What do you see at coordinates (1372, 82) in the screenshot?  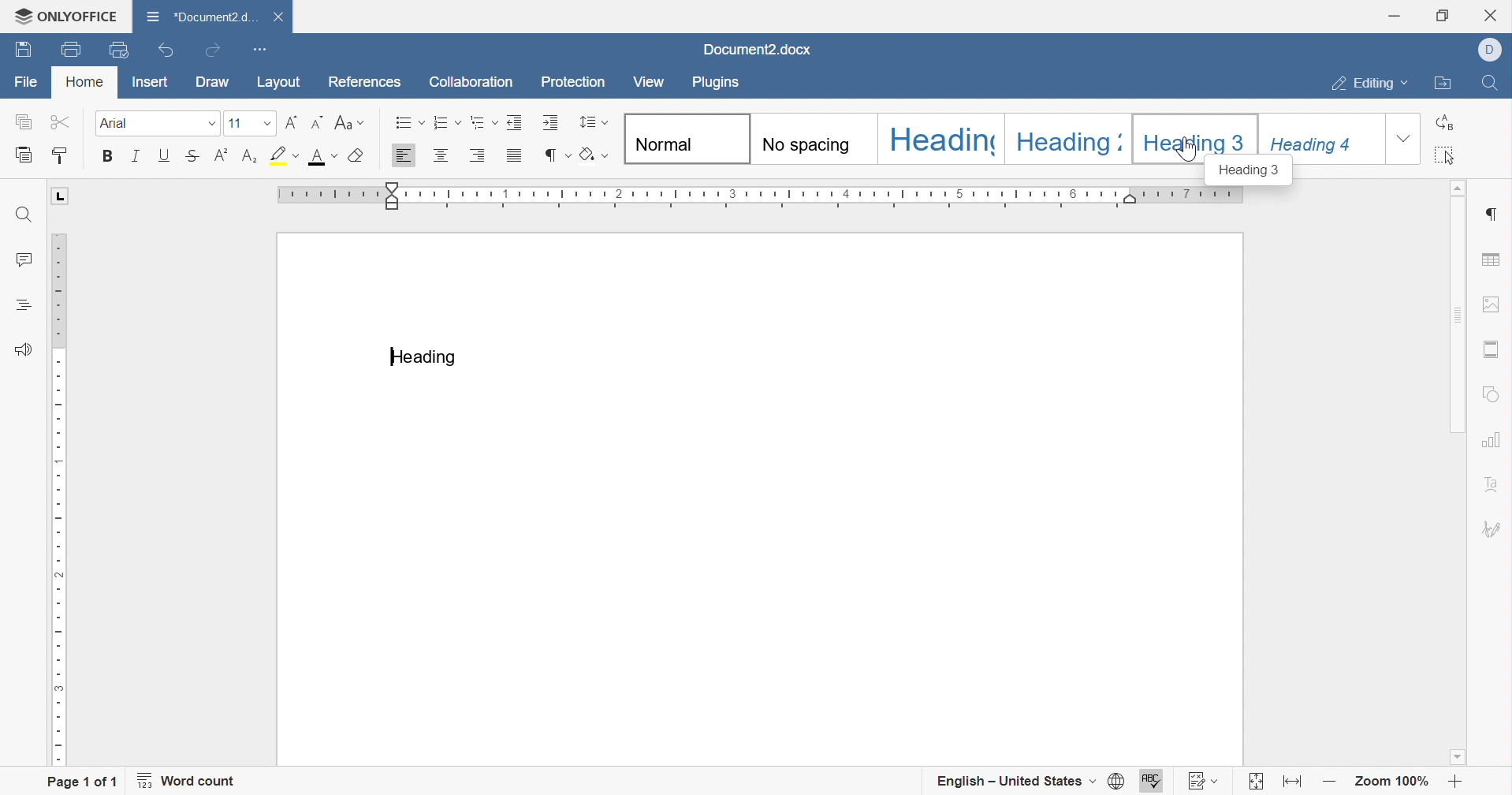 I see `Editing` at bounding box center [1372, 82].